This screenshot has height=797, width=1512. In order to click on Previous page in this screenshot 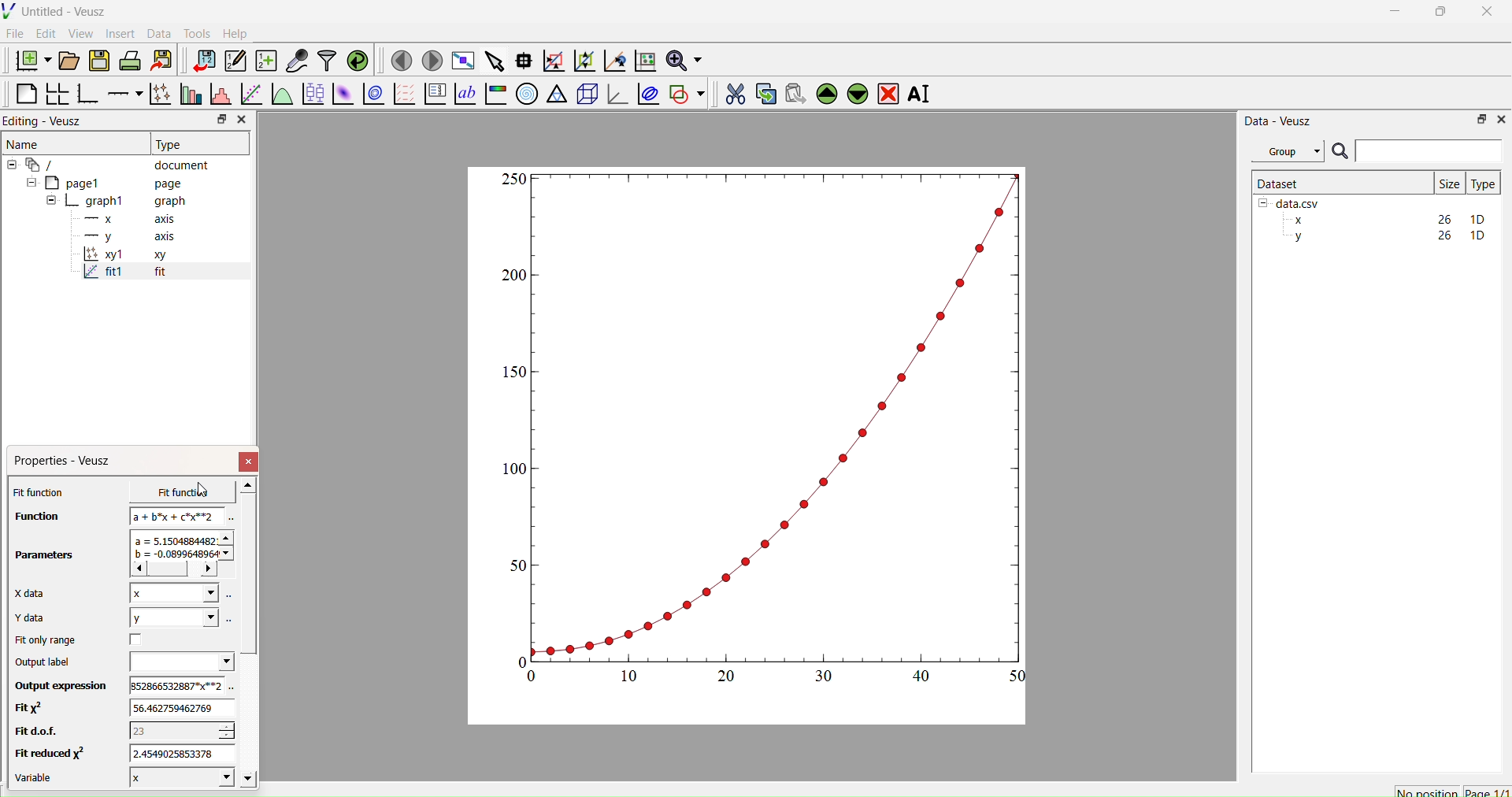, I will do `click(402, 61)`.